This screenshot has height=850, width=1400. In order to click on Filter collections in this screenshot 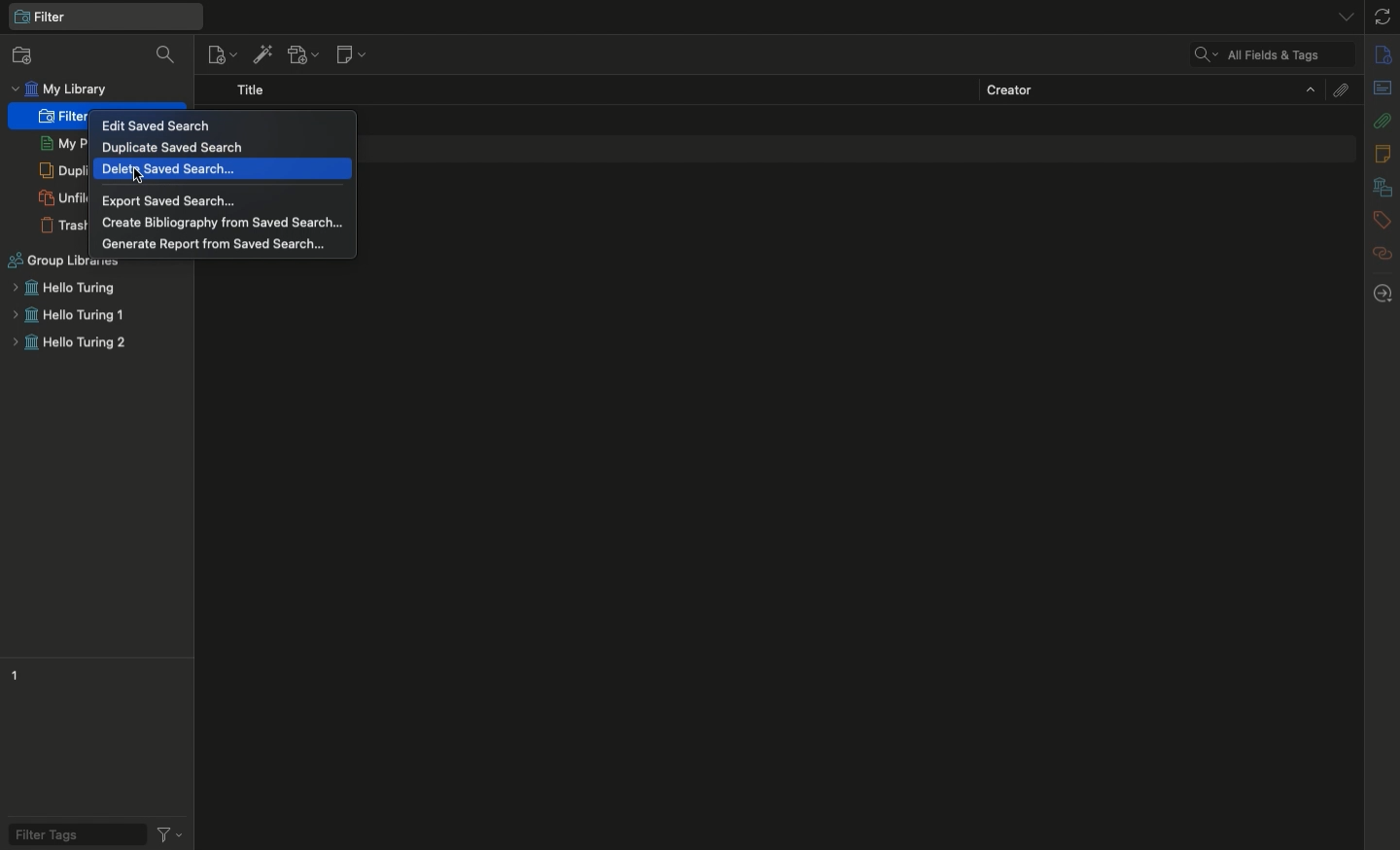, I will do `click(168, 54)`.